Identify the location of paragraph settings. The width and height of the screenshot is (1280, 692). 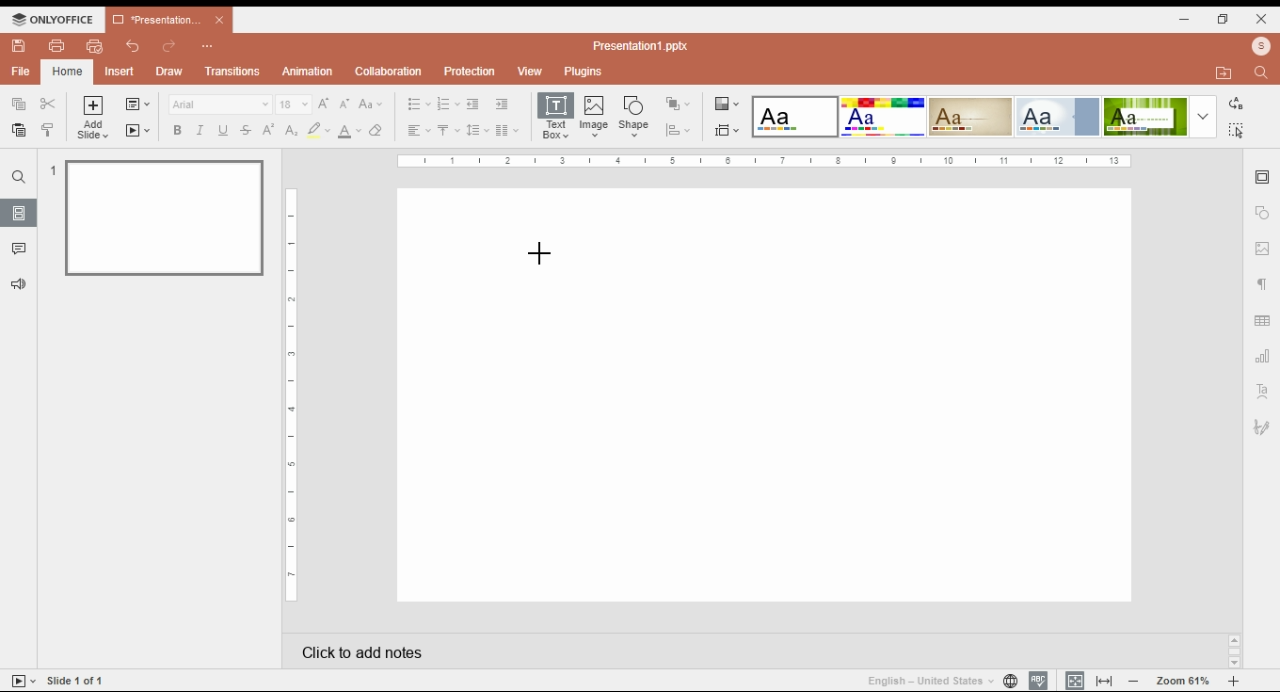
(1261, 285).